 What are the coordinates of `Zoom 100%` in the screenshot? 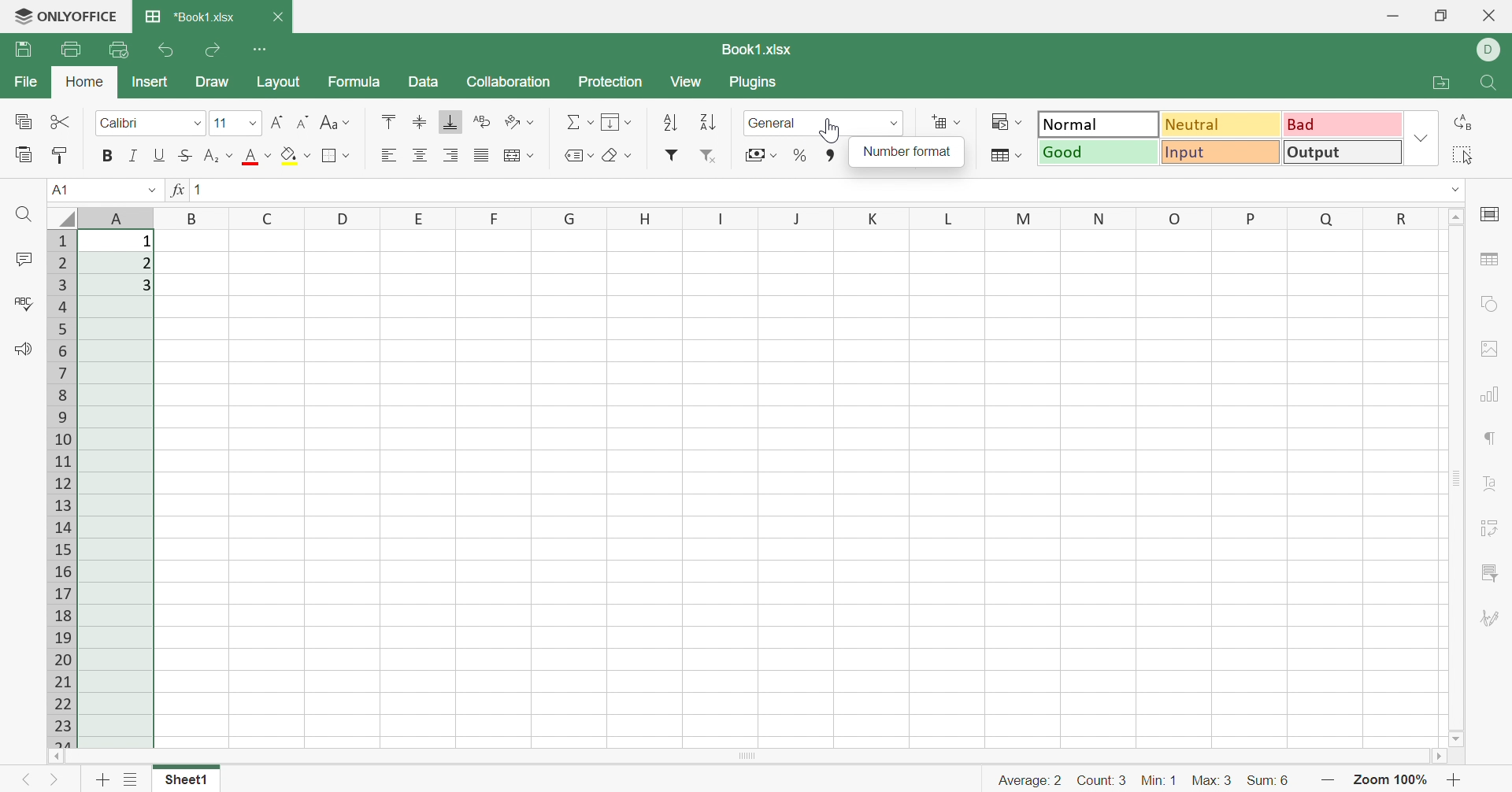 It's located at (1392, 782).